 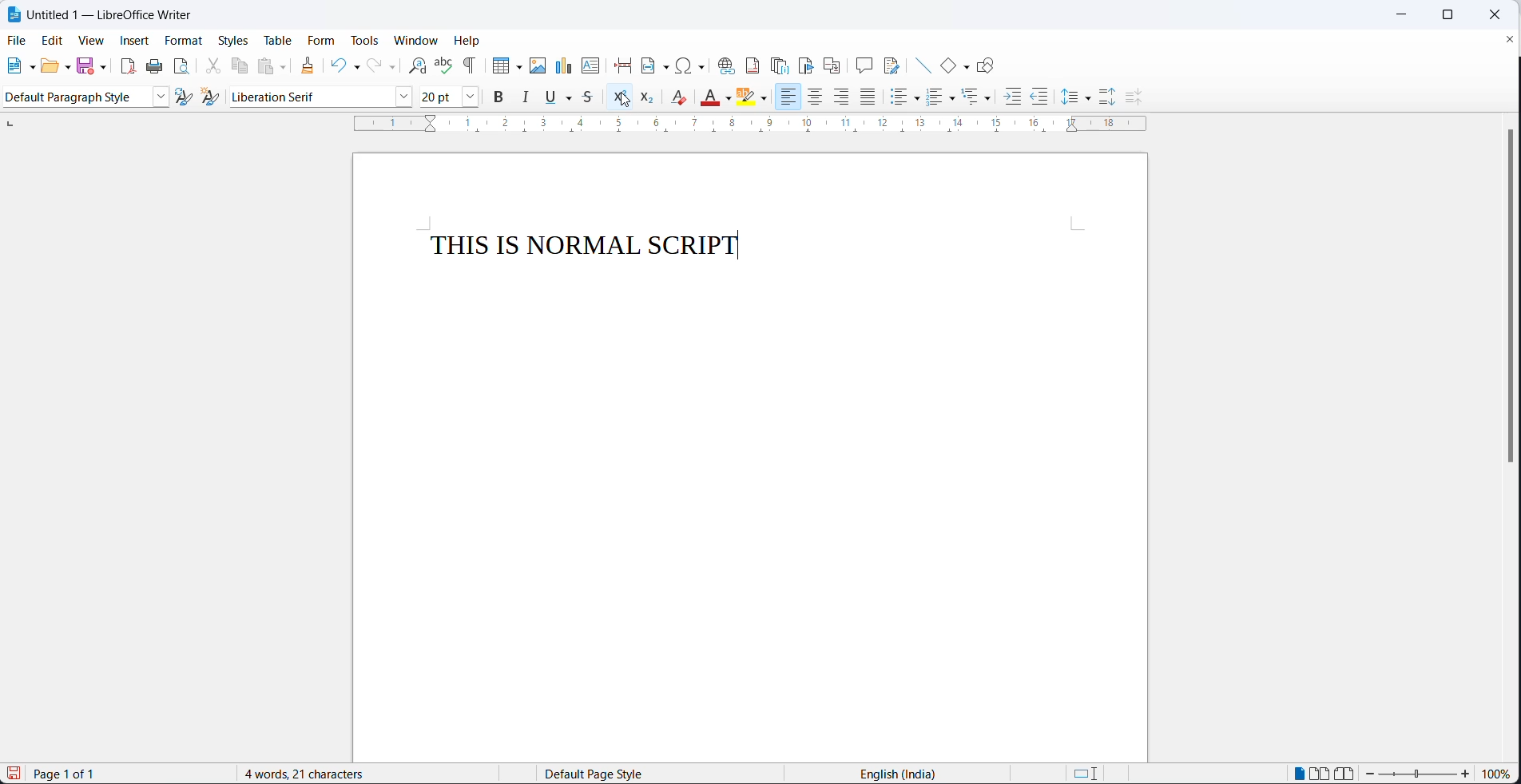 What do you see at coordinates (127, 65) in the screenshot?
I see `export as pdf` at bounding box center [127, 65].